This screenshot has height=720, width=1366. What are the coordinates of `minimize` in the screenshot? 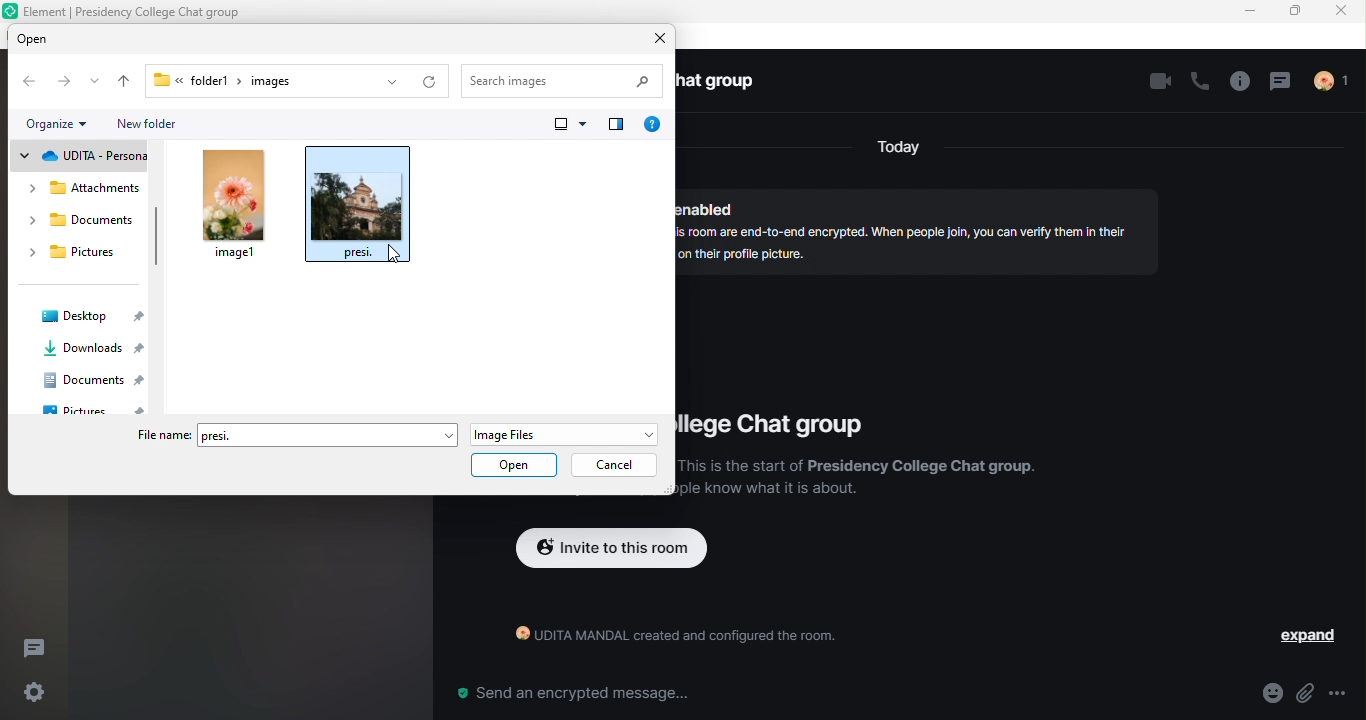 It's located at (1252, 13).